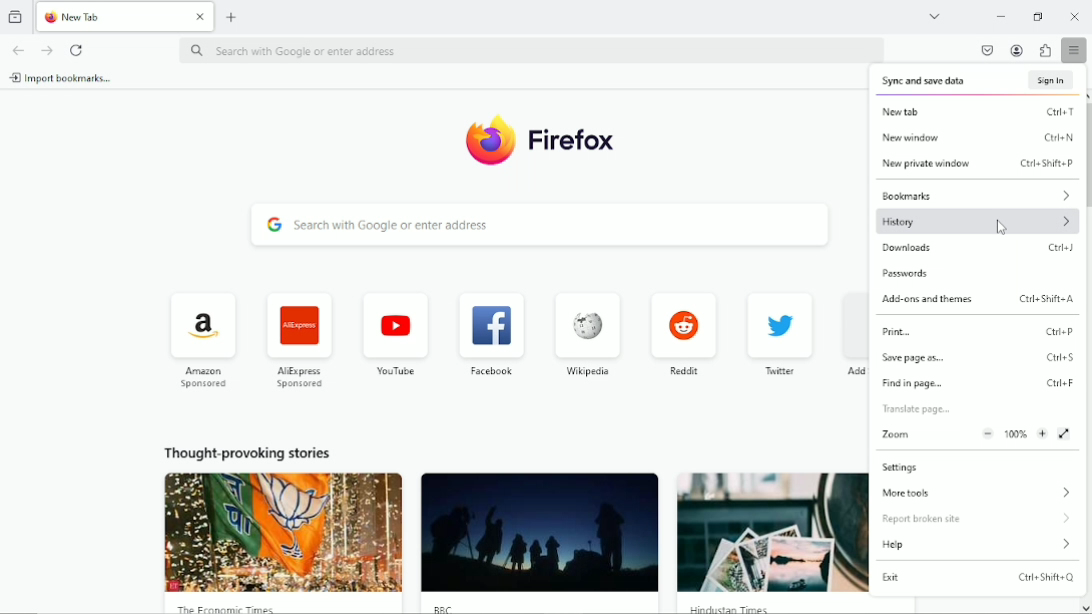 The image size is (1092, 614). Describe the element at coordinates (1000, 226) in the screenshot. I see `Cursor` at that location.